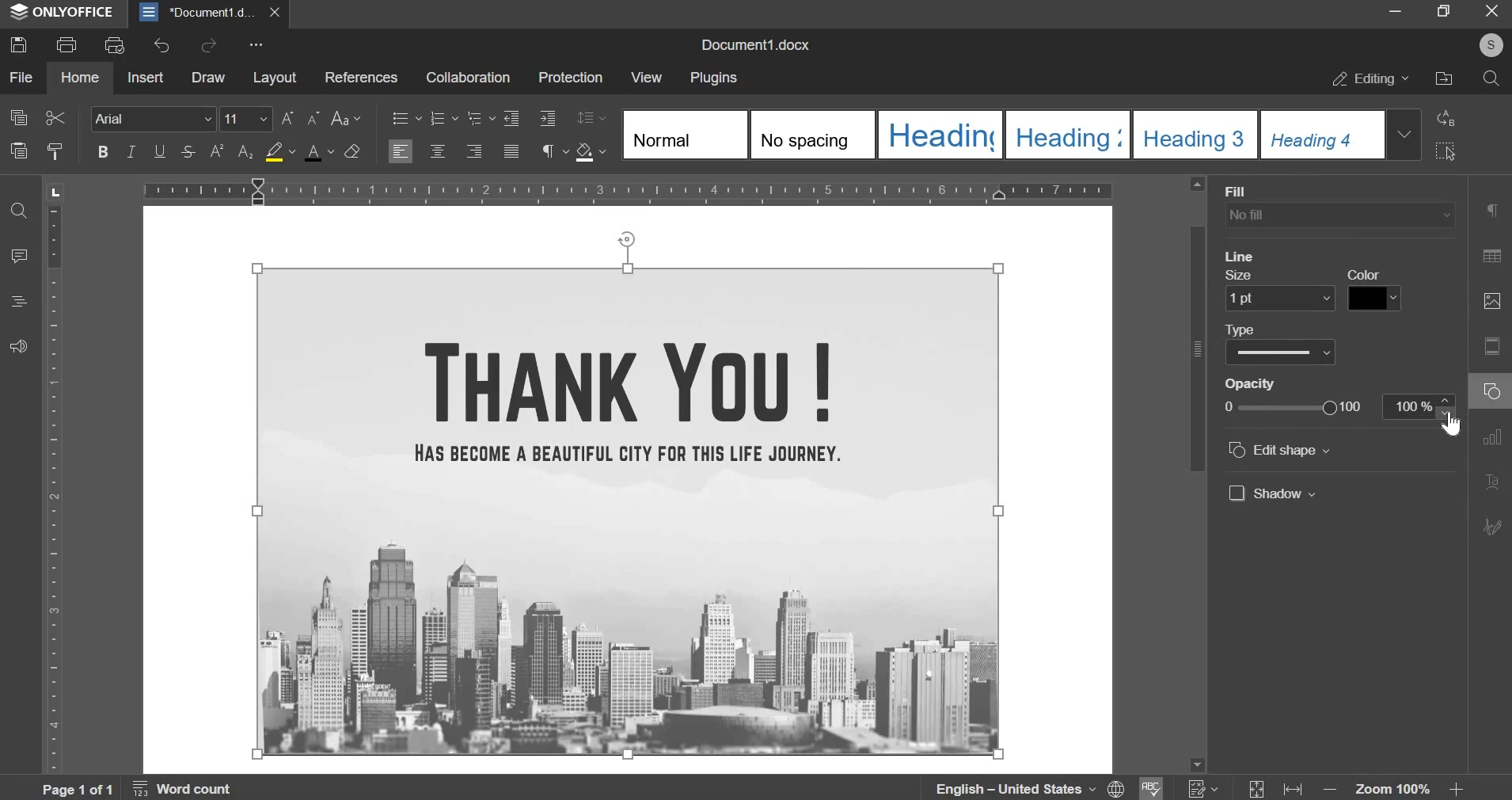  Describe the element at coordinates (1286, 248) in the screenshot. I see `Paragraph spacing` at that location.